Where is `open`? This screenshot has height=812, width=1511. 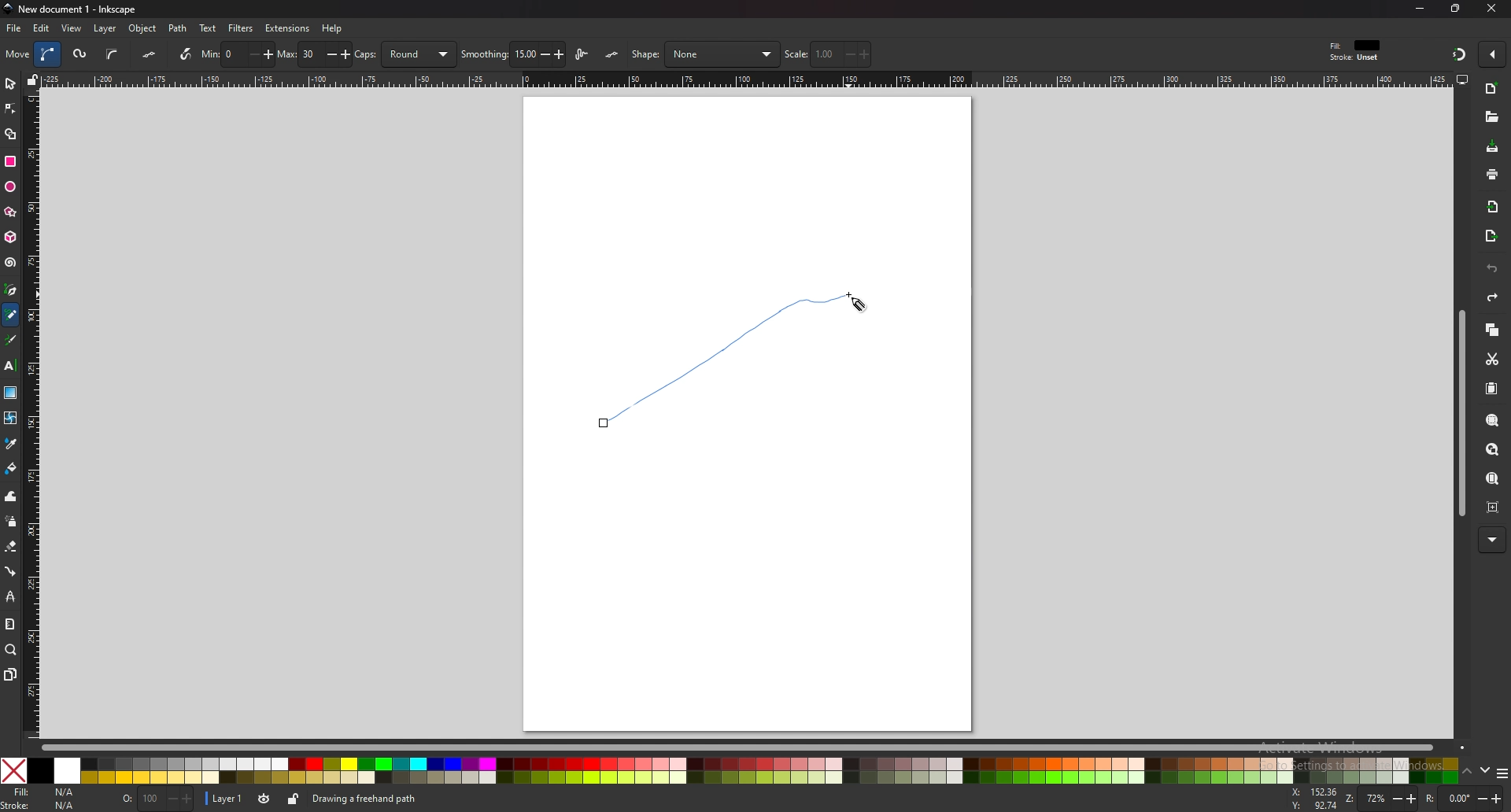 open is located at coordinates (1493, 116).